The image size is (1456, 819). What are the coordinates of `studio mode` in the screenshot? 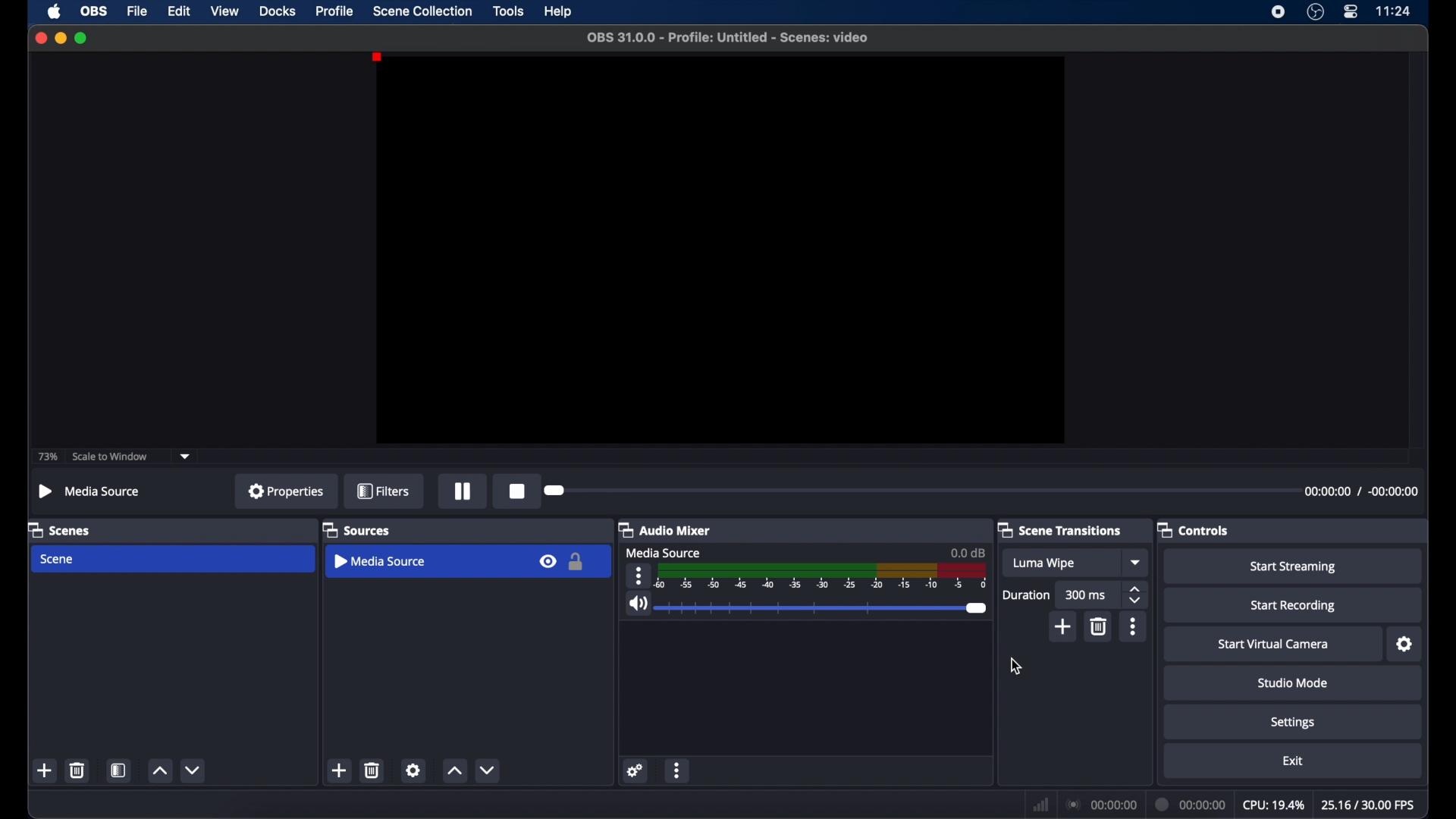 It's located at (1293, 683).